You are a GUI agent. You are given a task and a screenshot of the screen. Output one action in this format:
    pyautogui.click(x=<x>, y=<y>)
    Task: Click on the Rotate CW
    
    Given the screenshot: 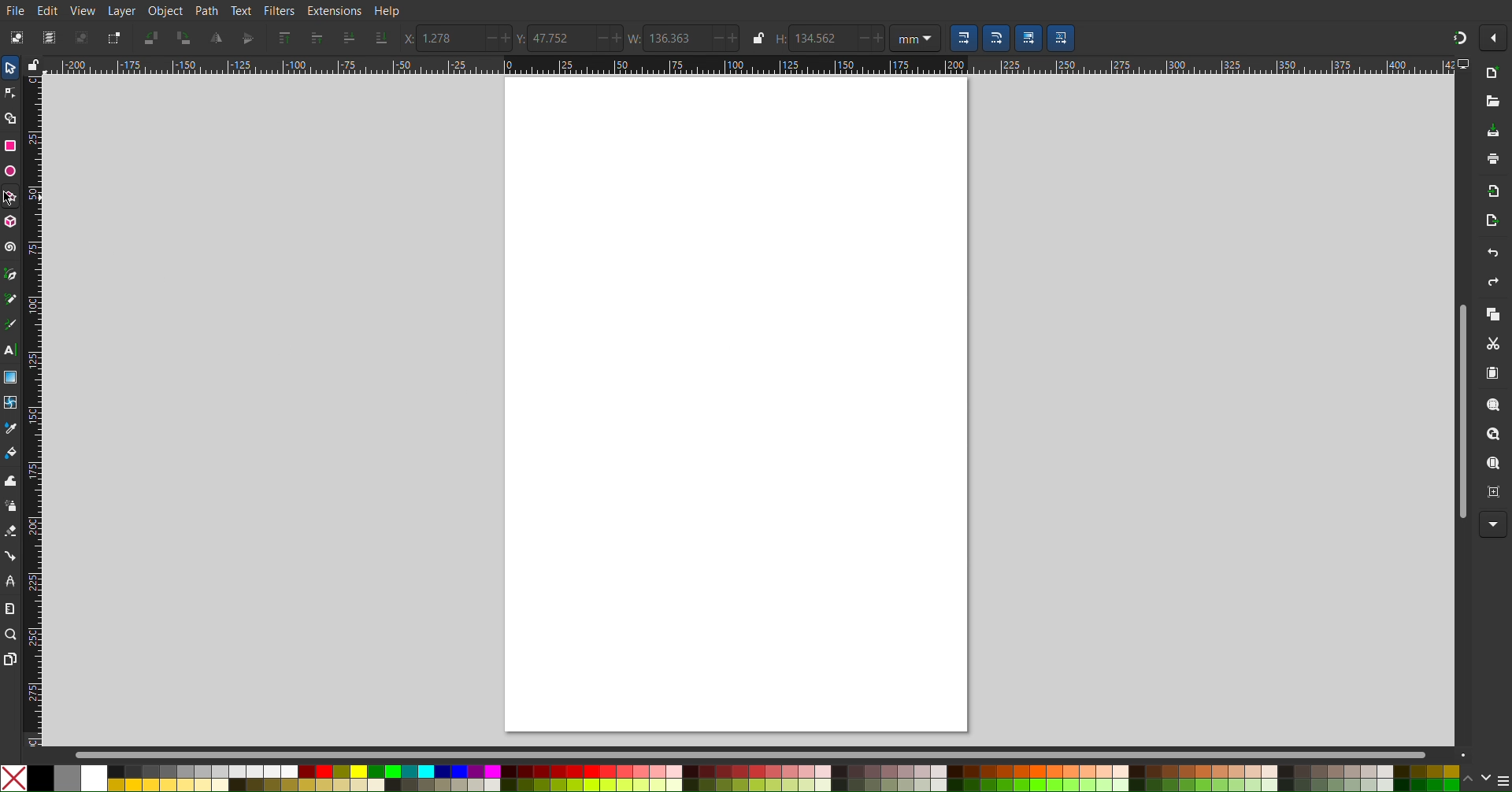 What is the action you would take?
    pyautogui.click(x=183, y=39)
    